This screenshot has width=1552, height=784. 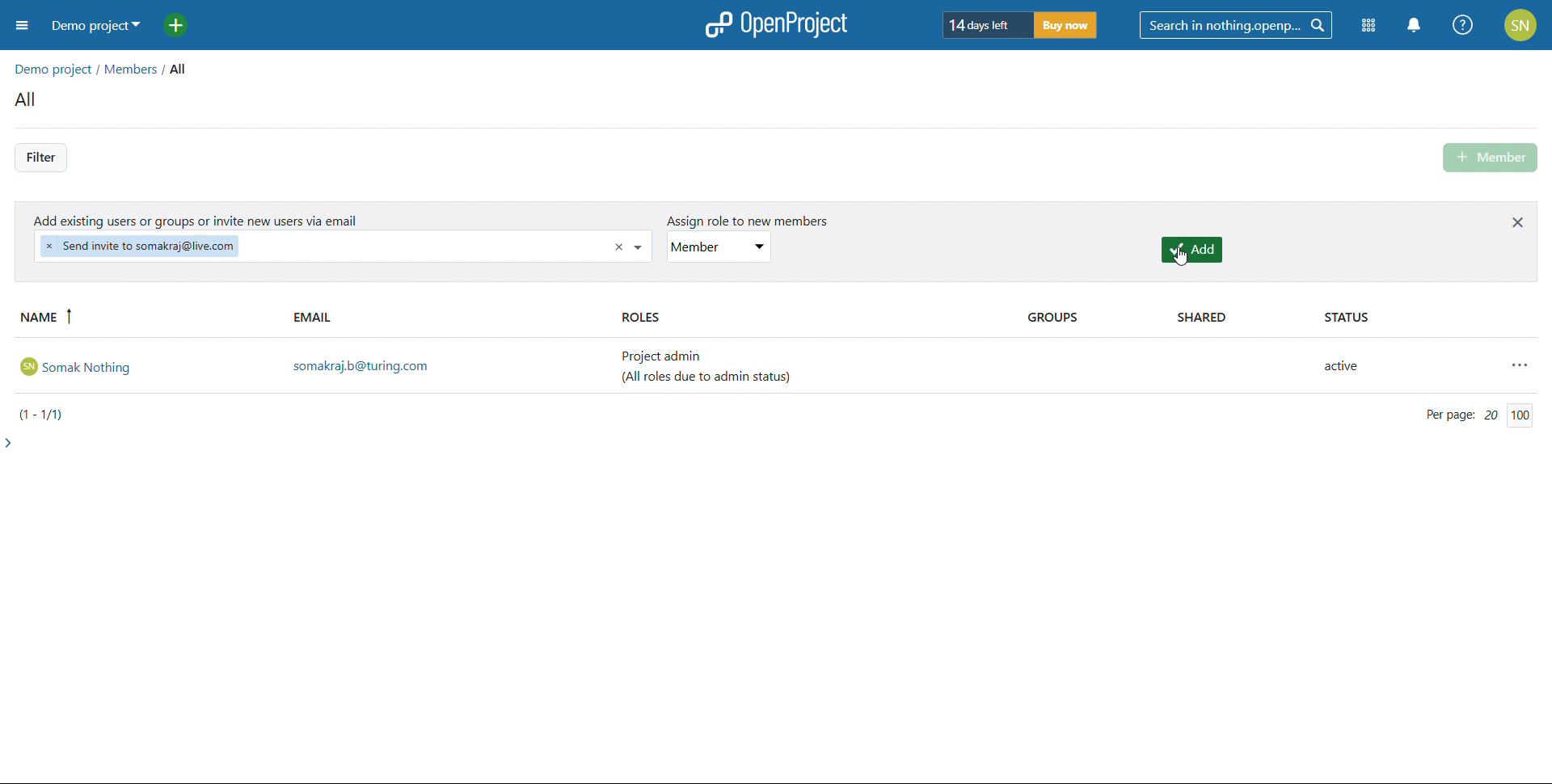 I want to click on groups, so click(x=1084, y=318).